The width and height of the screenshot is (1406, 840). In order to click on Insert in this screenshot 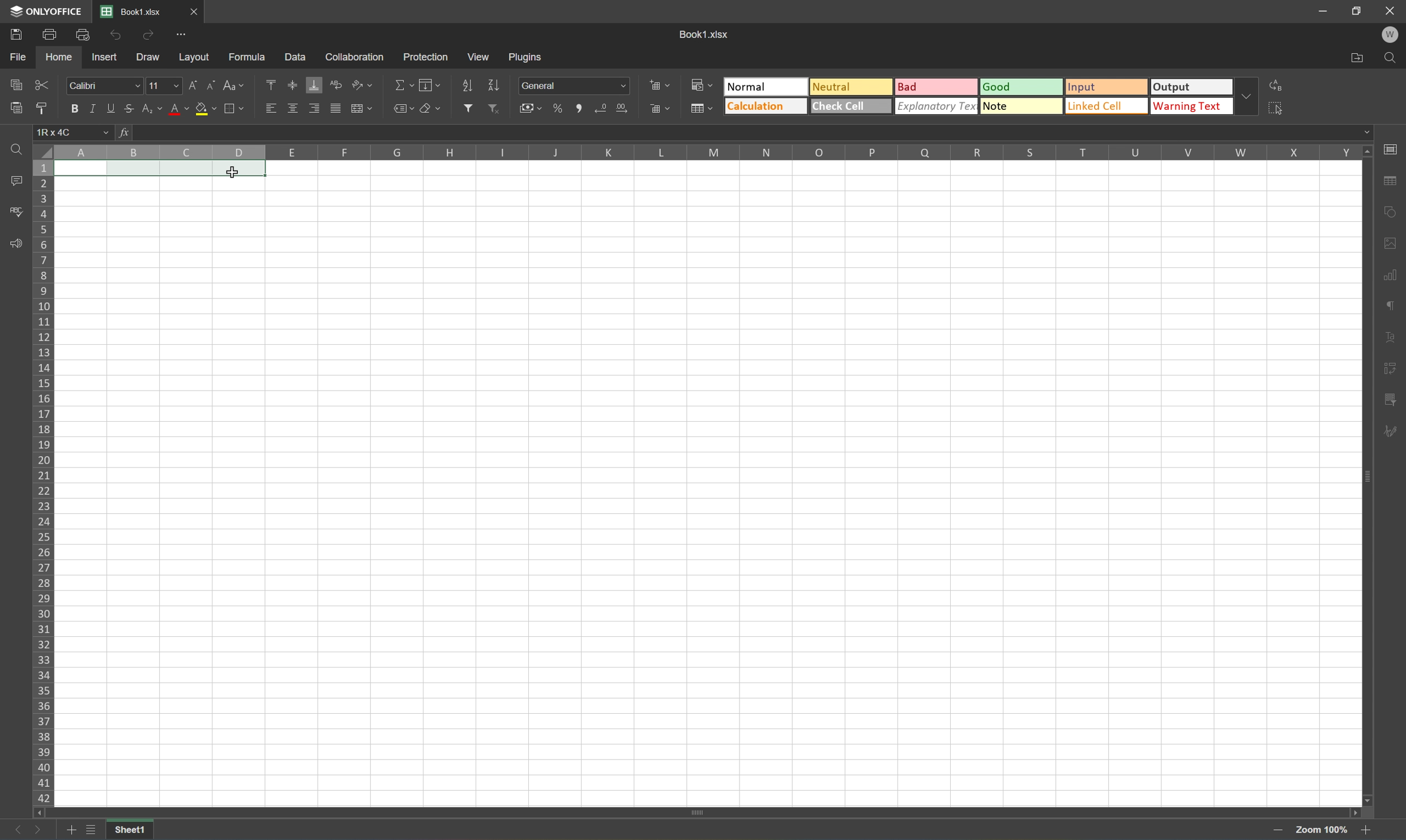, I will do `click(104, 59)`.